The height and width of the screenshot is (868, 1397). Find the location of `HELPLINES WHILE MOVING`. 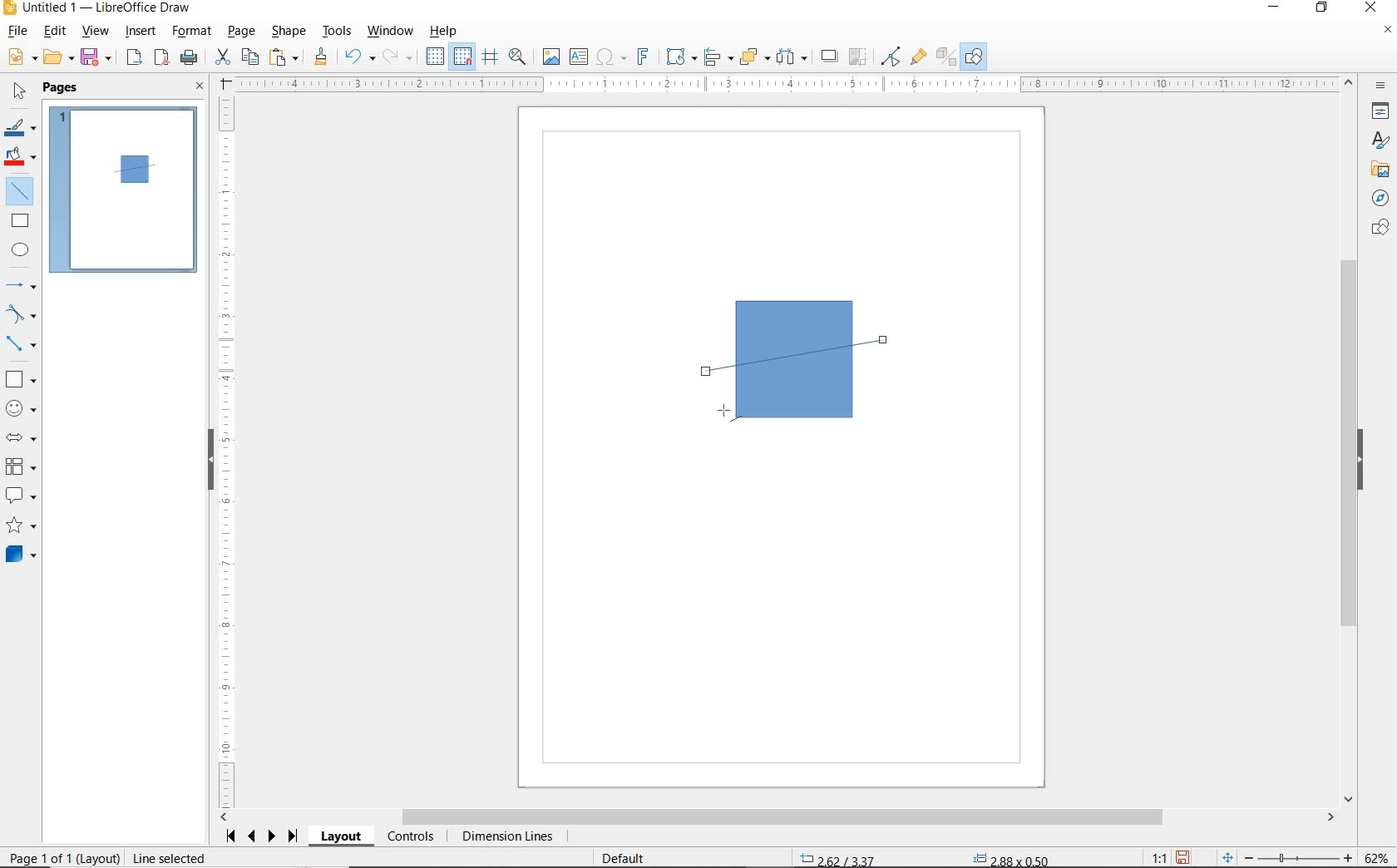

HELPLINES WHILE MOVING is located at coordinates (493, 59).